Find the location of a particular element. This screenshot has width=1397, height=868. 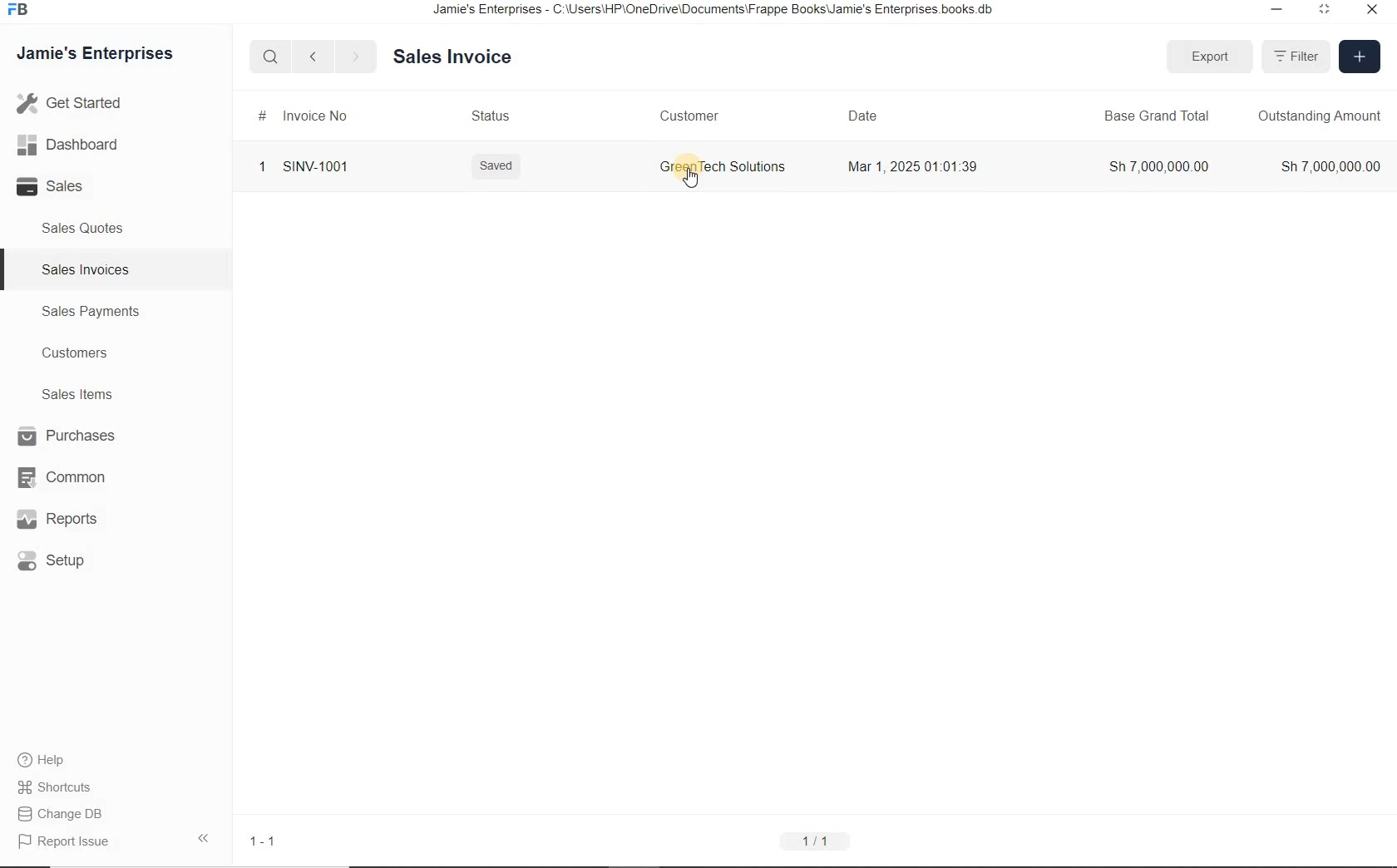

Outstanding Amount is located at coordinates (1320, 116).